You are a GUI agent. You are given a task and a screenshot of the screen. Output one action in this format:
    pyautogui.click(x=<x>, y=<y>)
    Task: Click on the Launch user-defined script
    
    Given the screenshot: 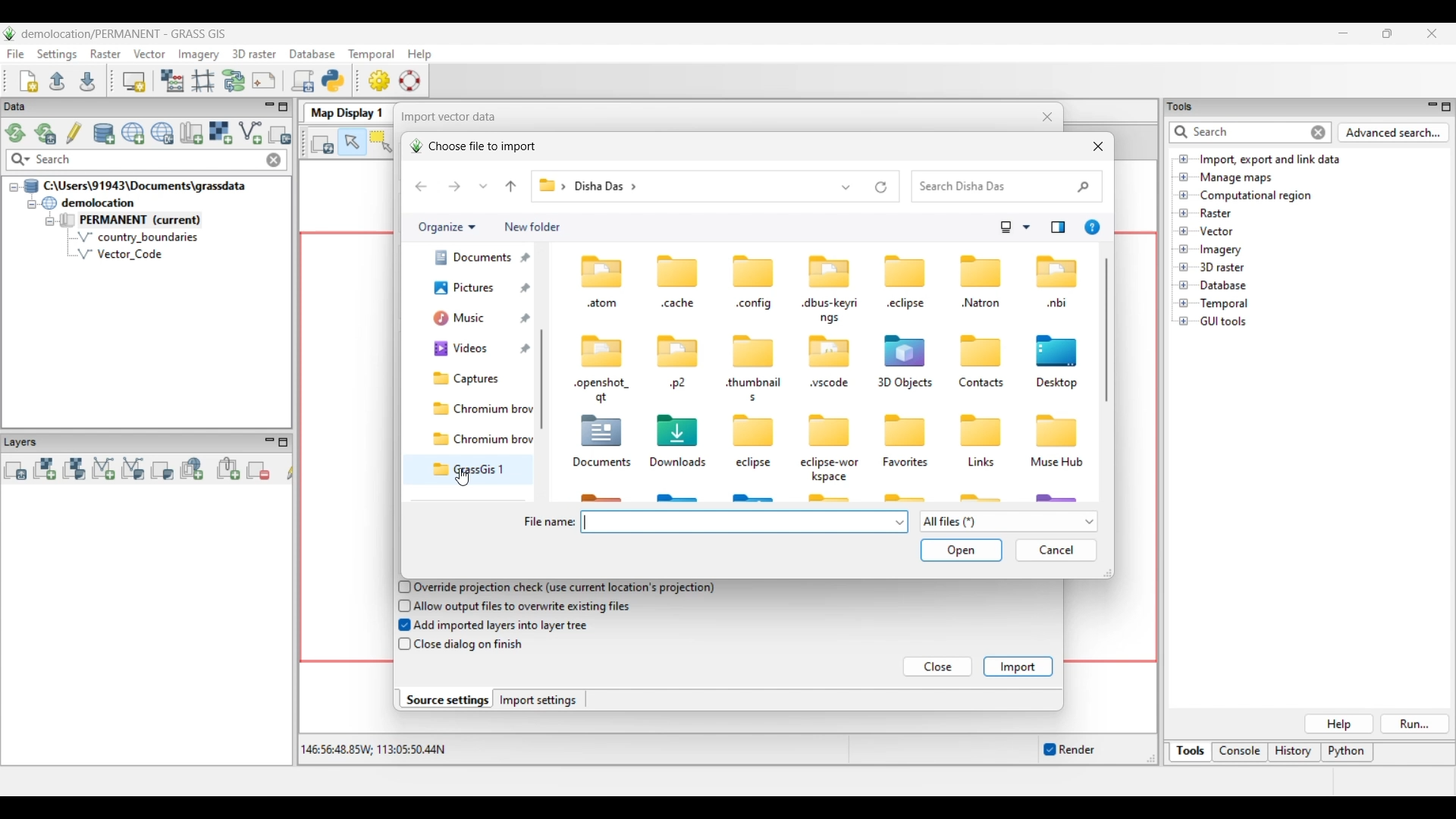 What is the action you would take?
    pyautogui.click(x=303, y=80)
    